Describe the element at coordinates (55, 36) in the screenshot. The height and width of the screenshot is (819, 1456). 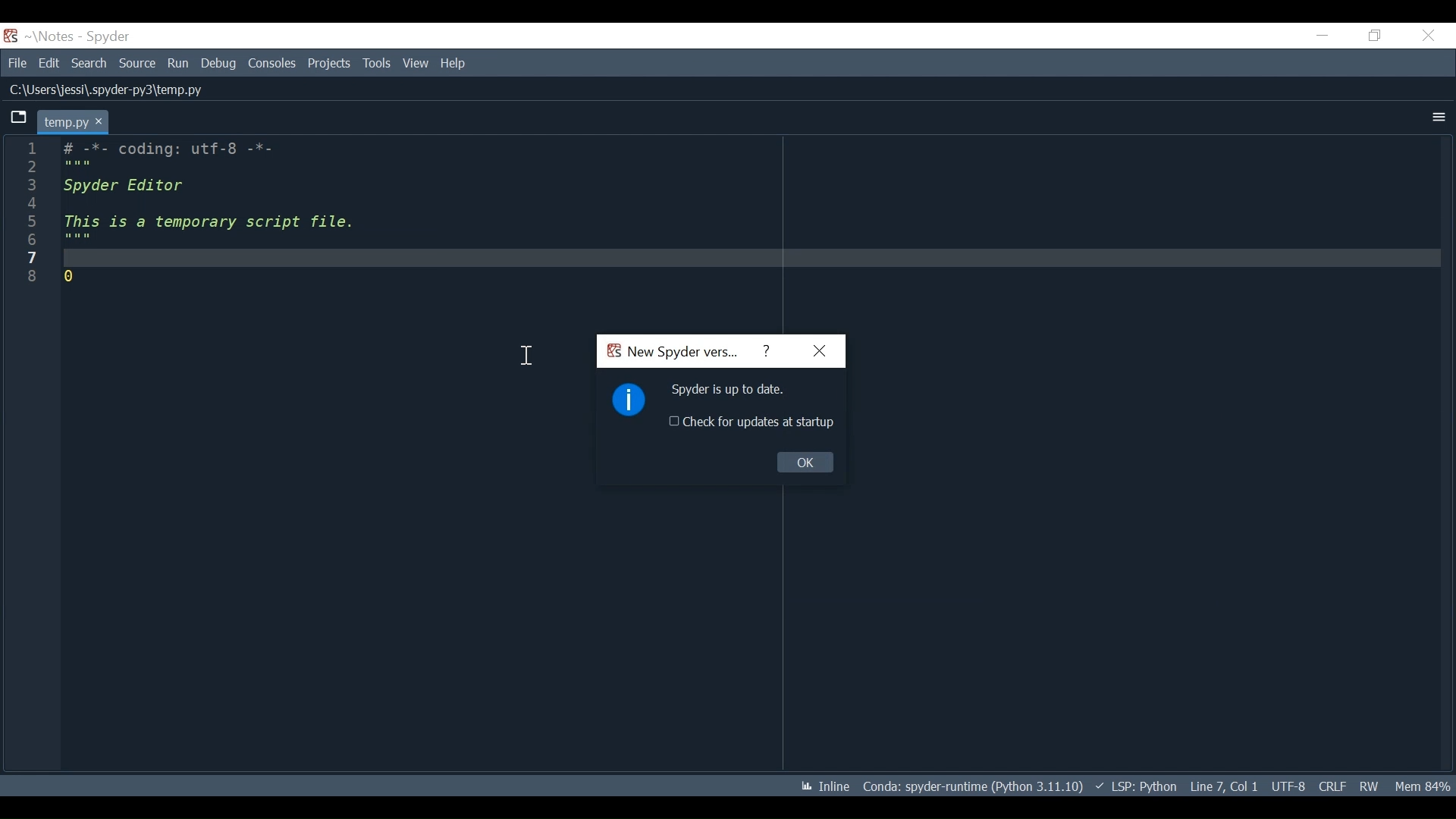
I see `Projects Name` at that location.